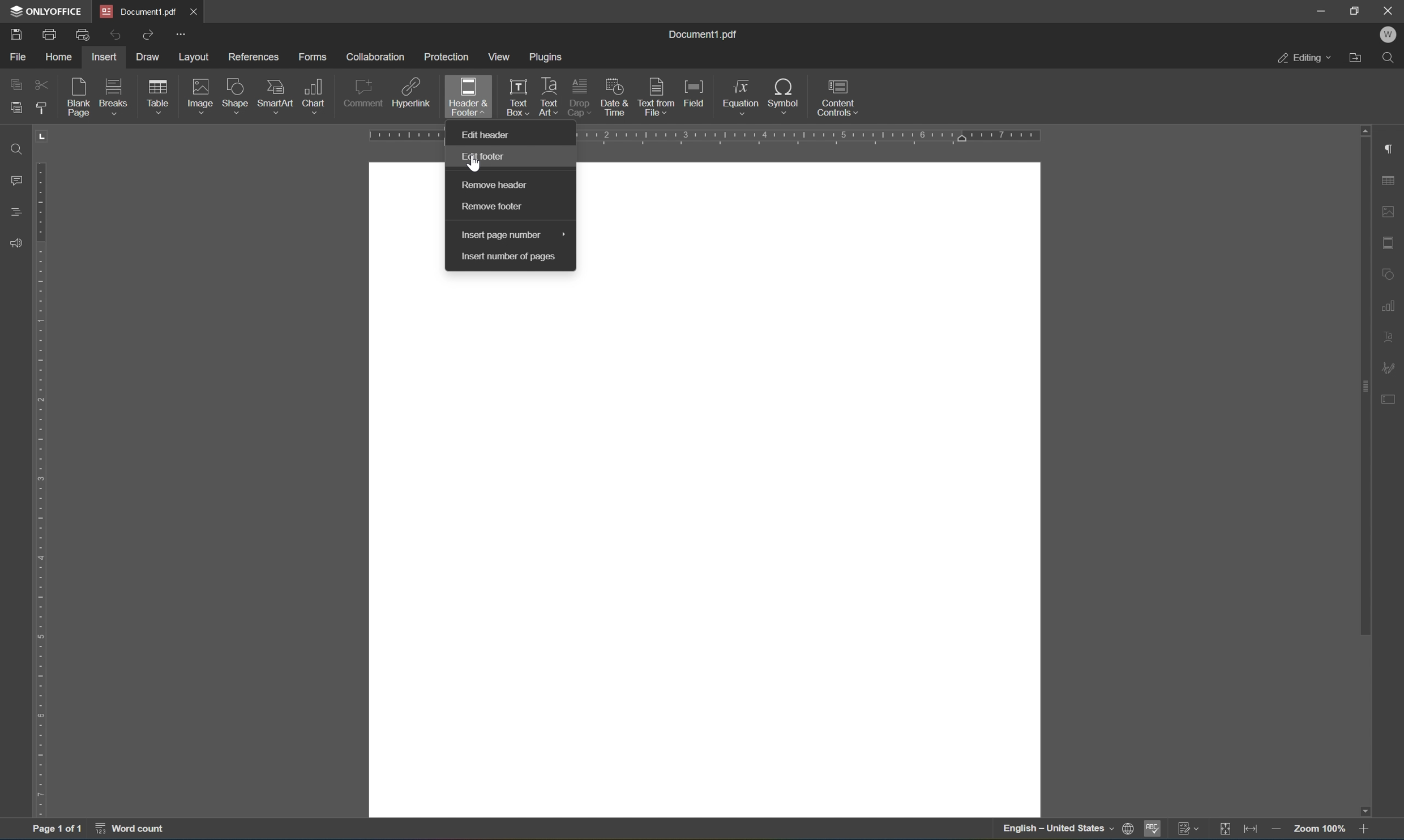  I want to click on chart settings, so click(1389, 303).